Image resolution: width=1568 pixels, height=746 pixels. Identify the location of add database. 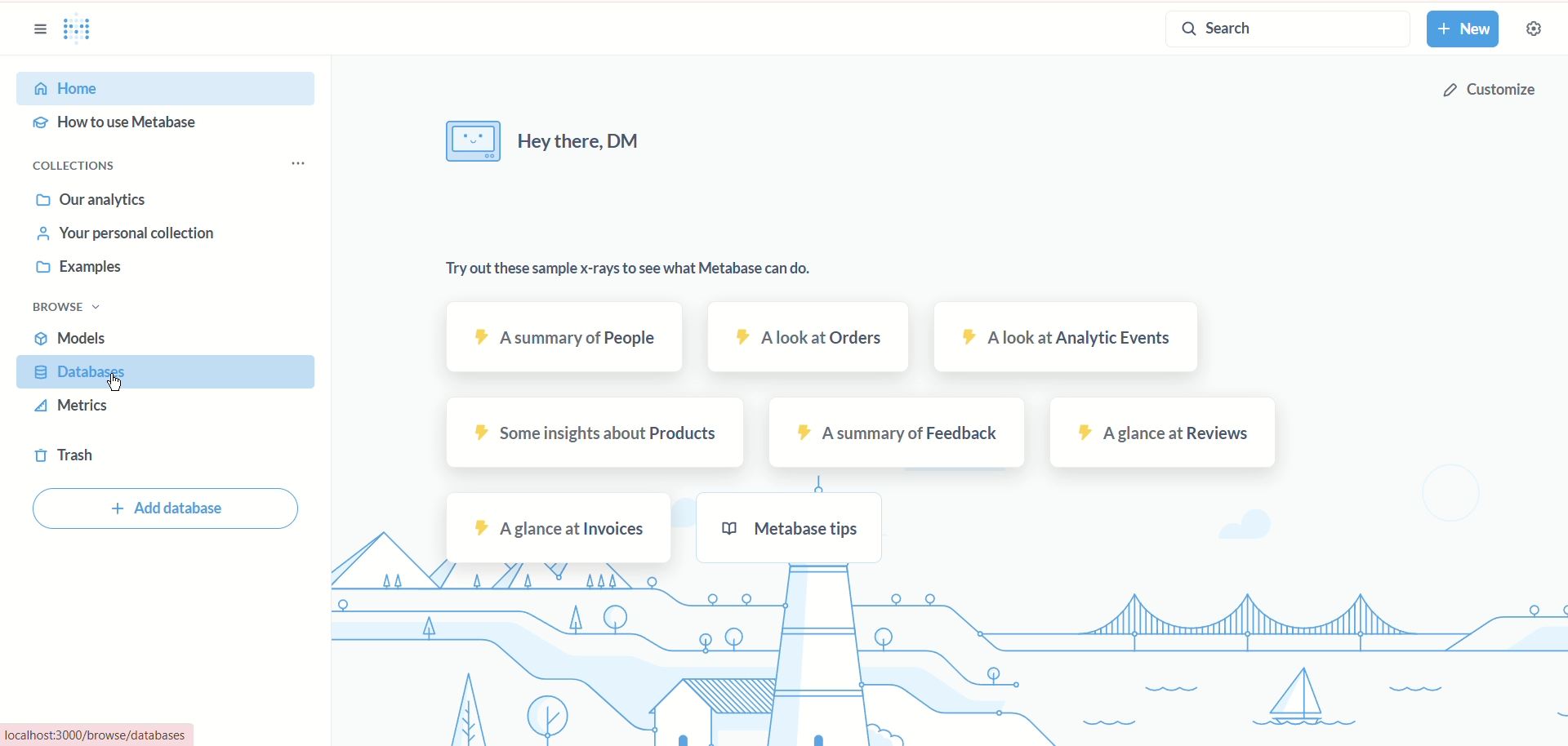
(165, 508).